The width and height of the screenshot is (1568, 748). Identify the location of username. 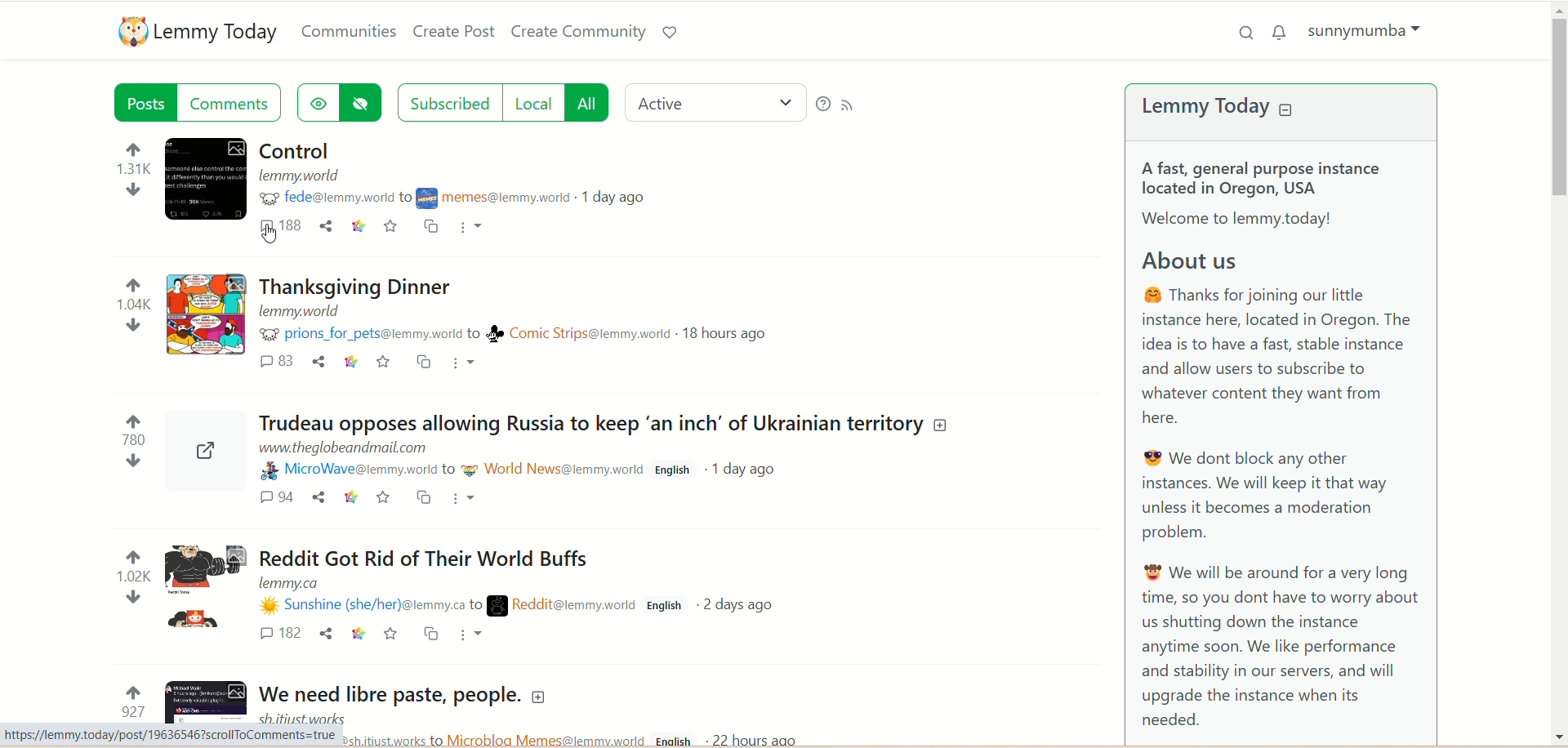
(332, 197).